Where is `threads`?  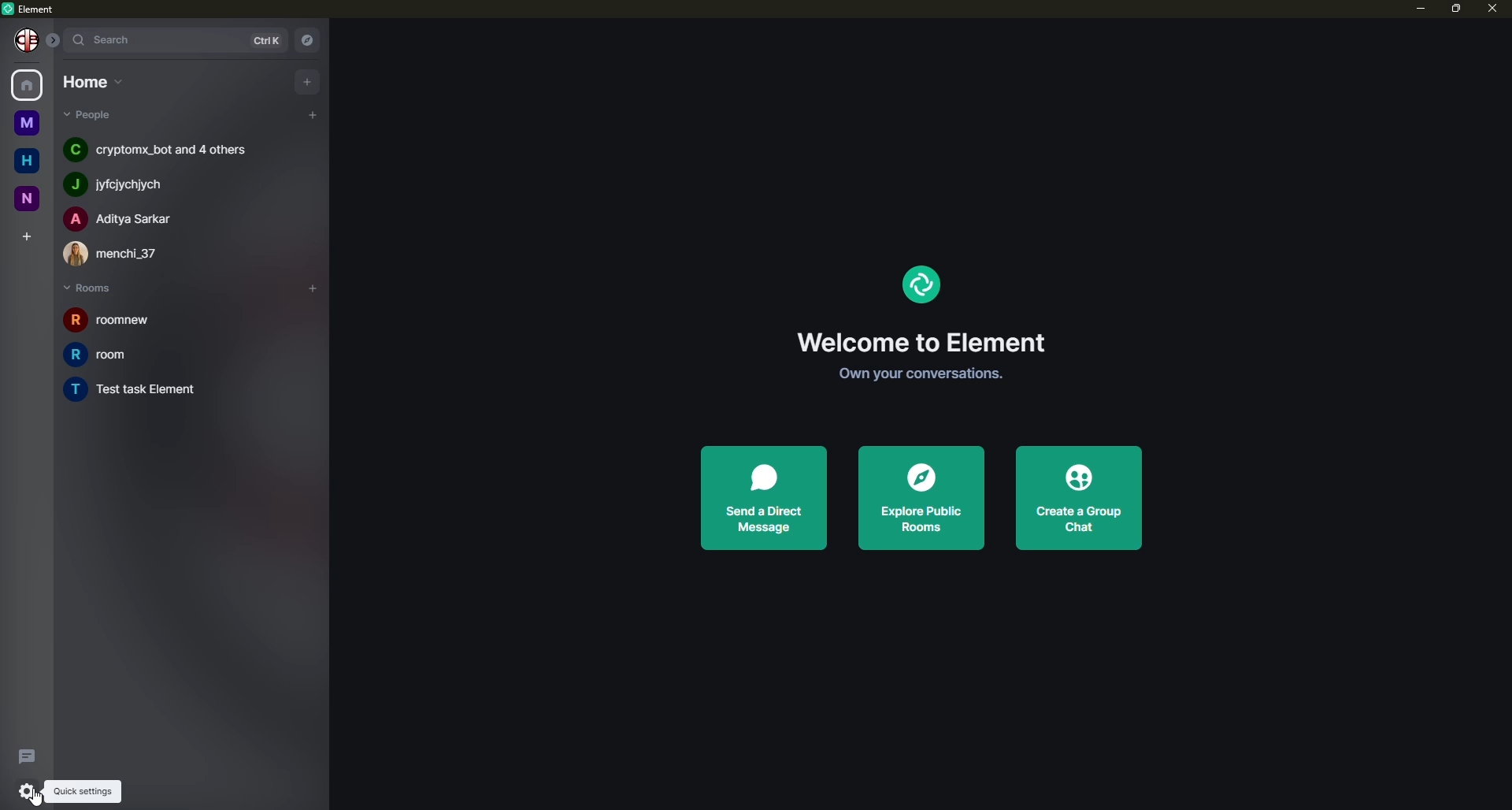 threads is located at coordinates (25, 756).